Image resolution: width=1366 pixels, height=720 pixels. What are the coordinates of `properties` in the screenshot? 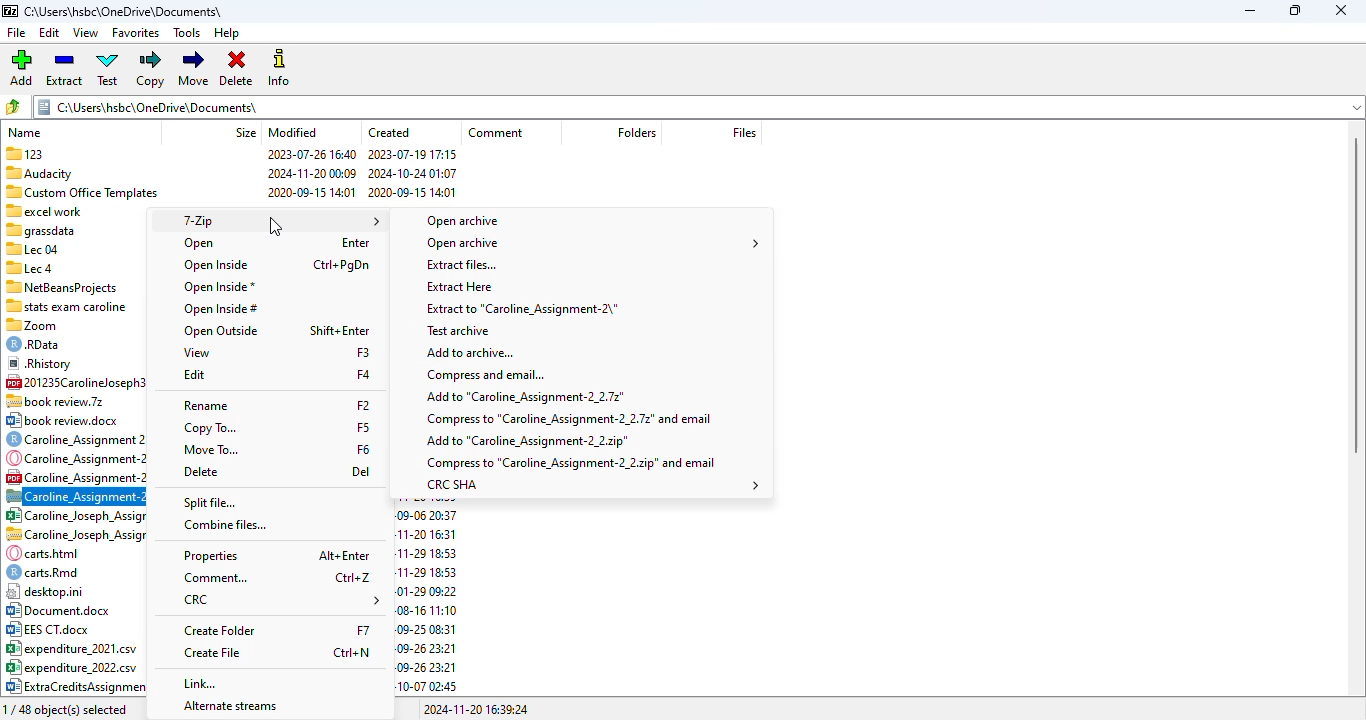 It's located at (209, 556).